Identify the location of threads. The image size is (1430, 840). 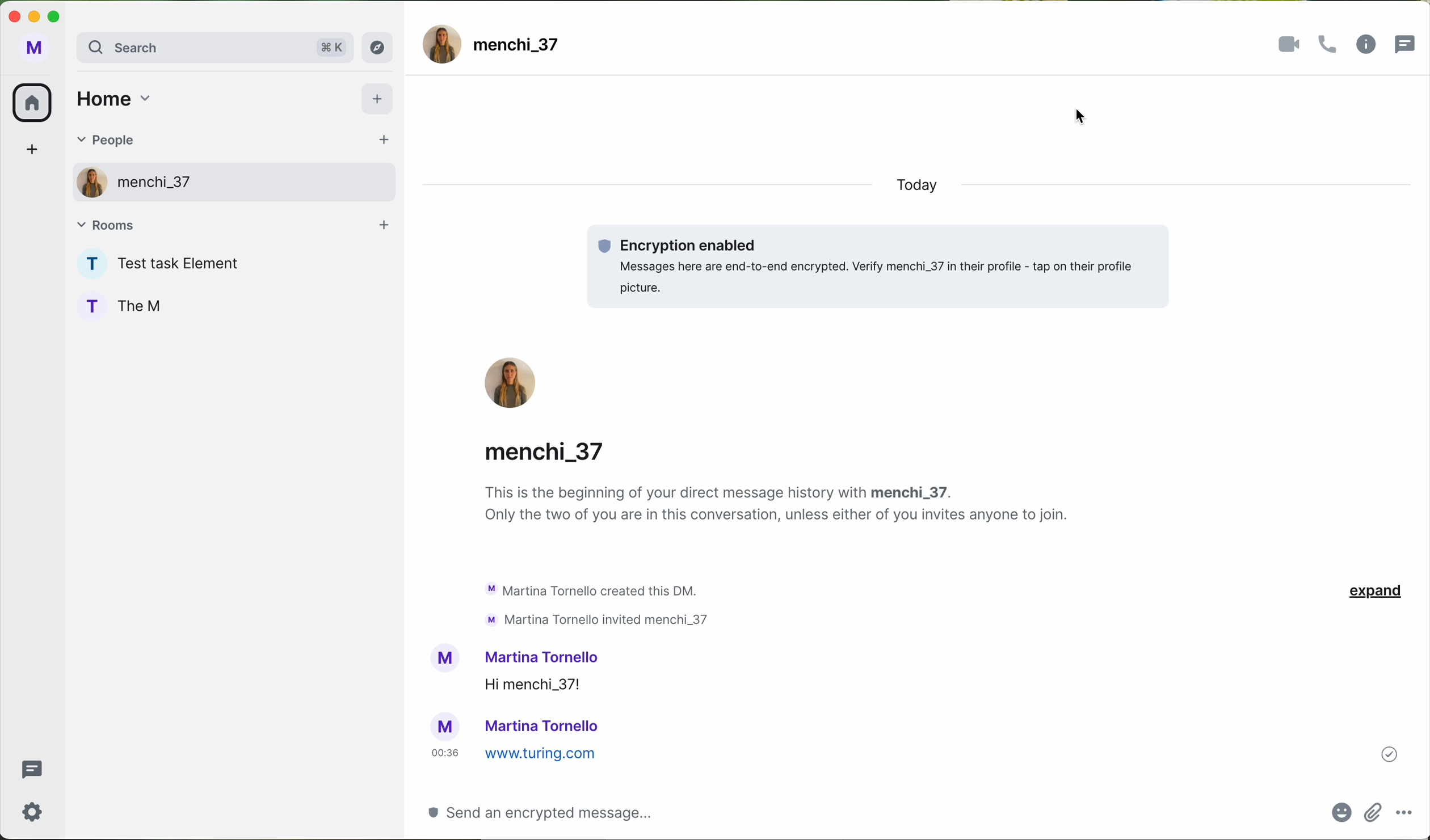
(30, 770).